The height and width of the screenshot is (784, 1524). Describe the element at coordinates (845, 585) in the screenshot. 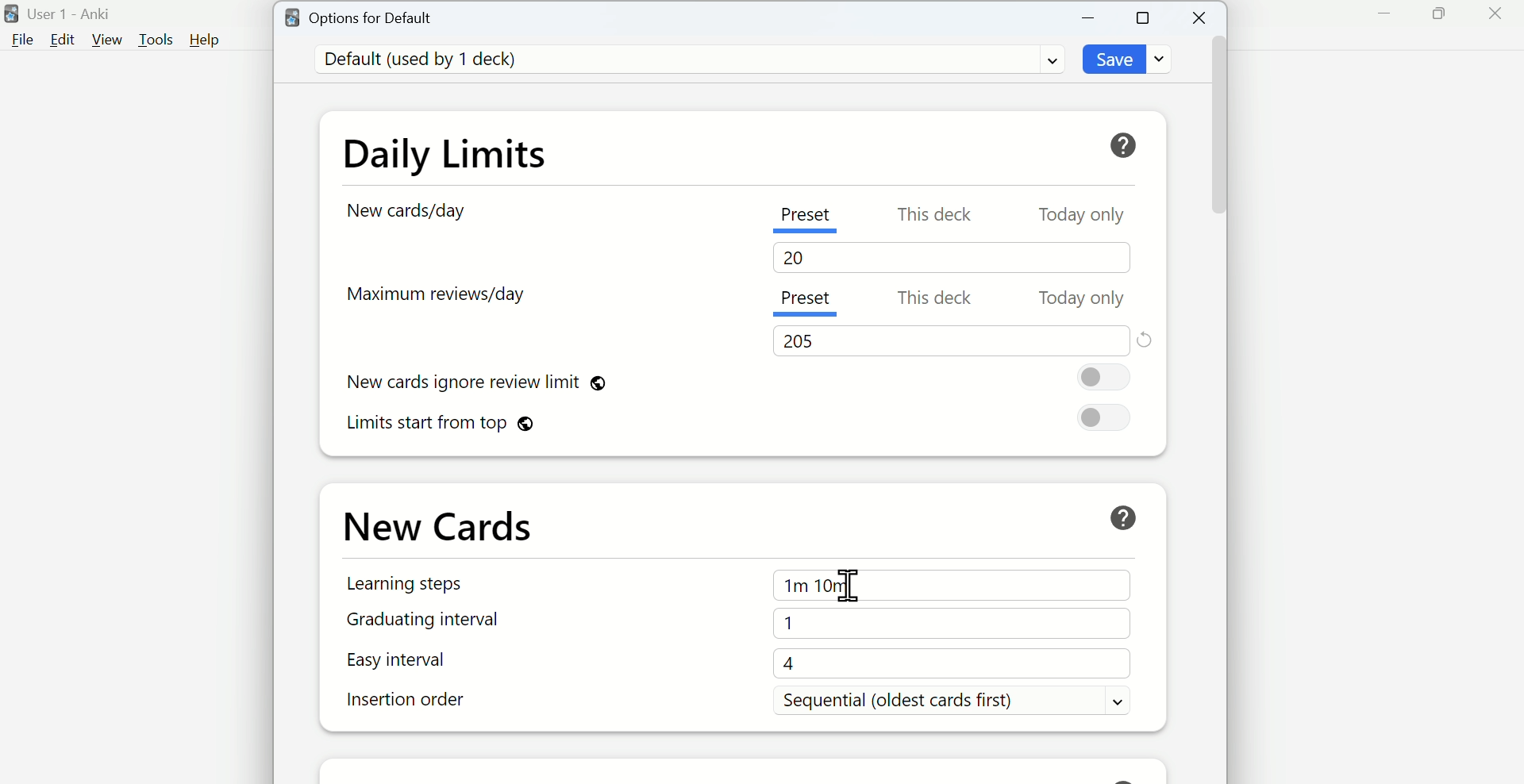

I see `Text cursor` at that location.